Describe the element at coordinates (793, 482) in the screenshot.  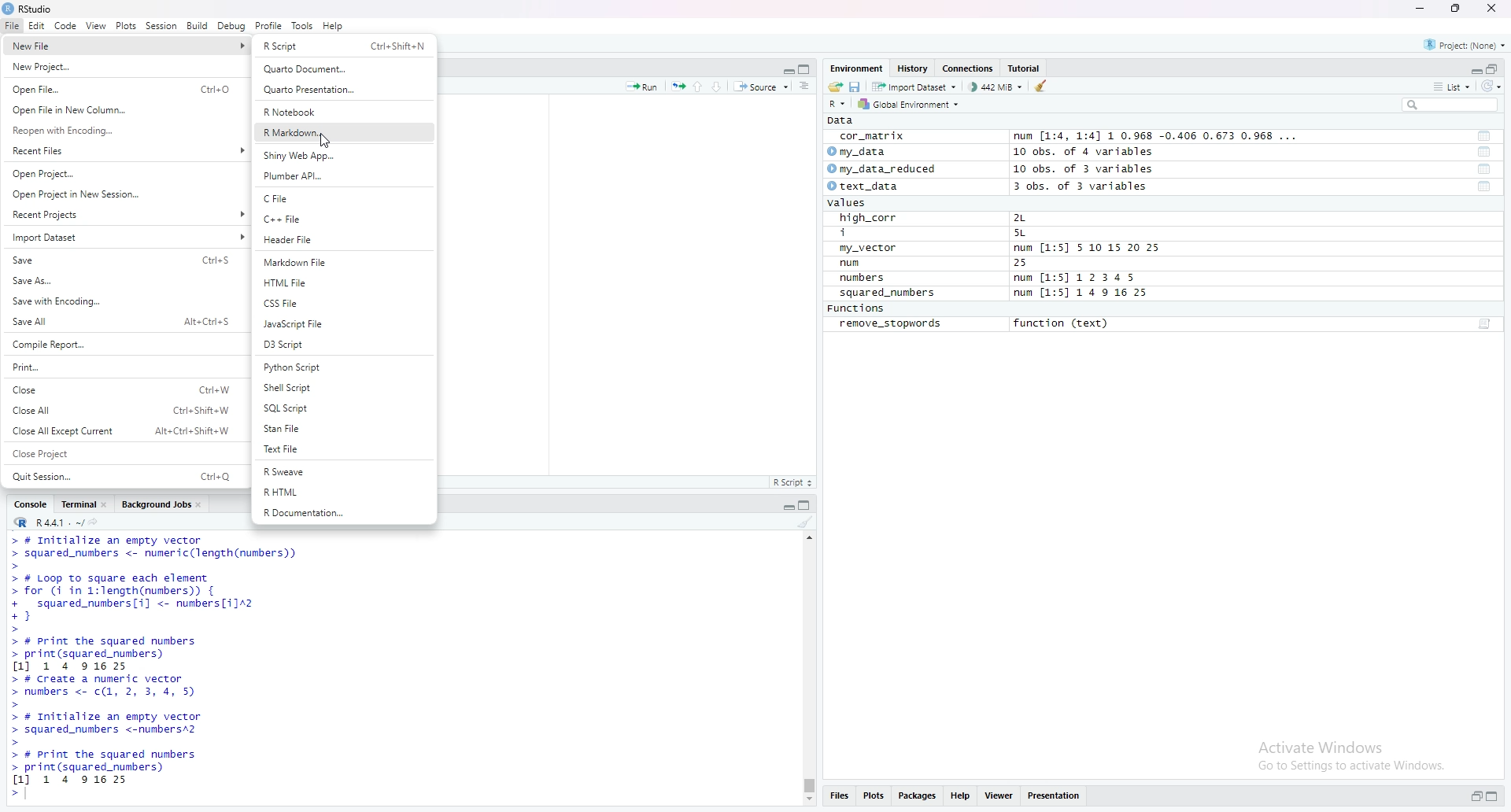
I see `R Script` at that location.